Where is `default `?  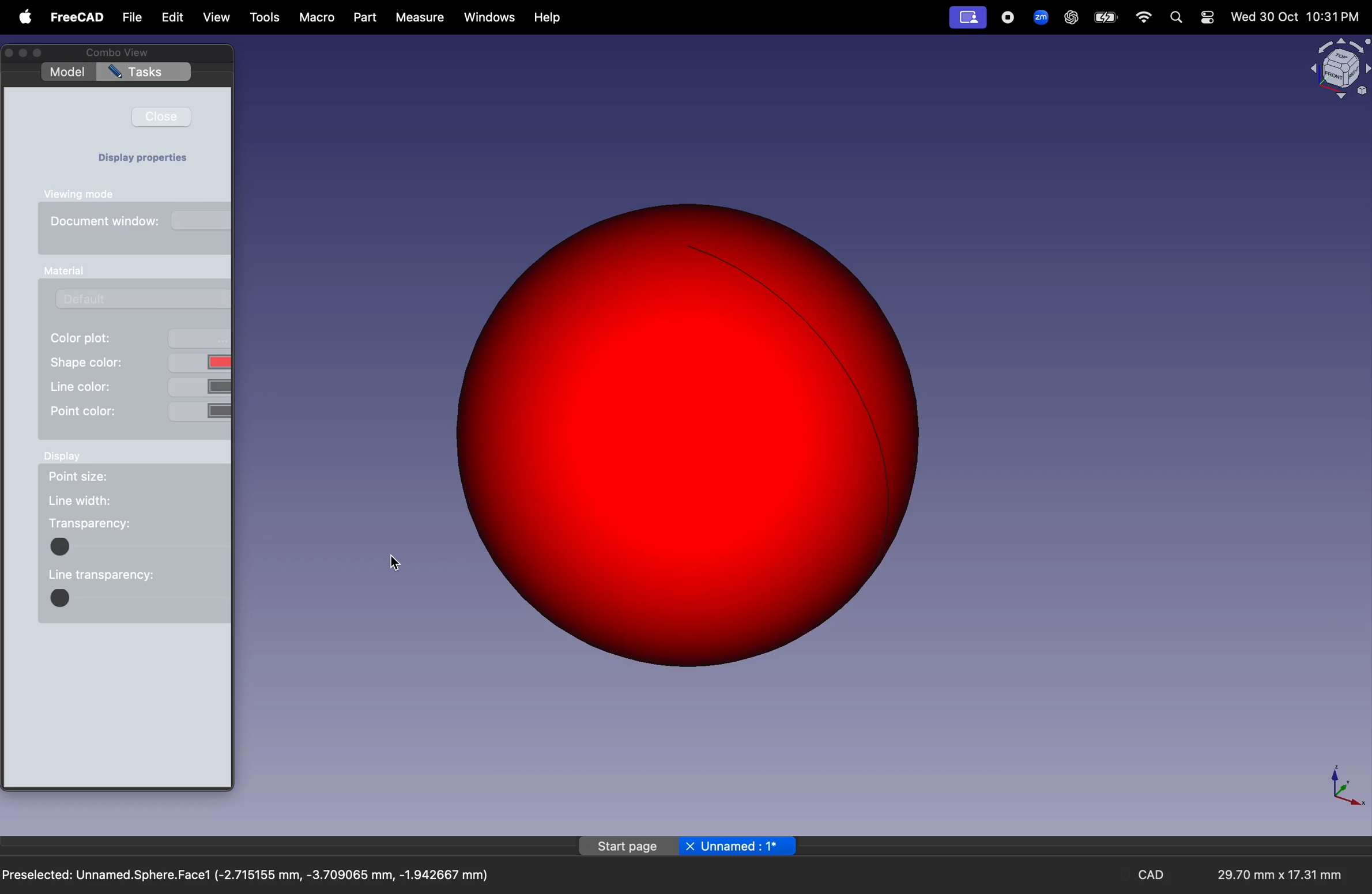
default  is located at coordinates (141, 298).